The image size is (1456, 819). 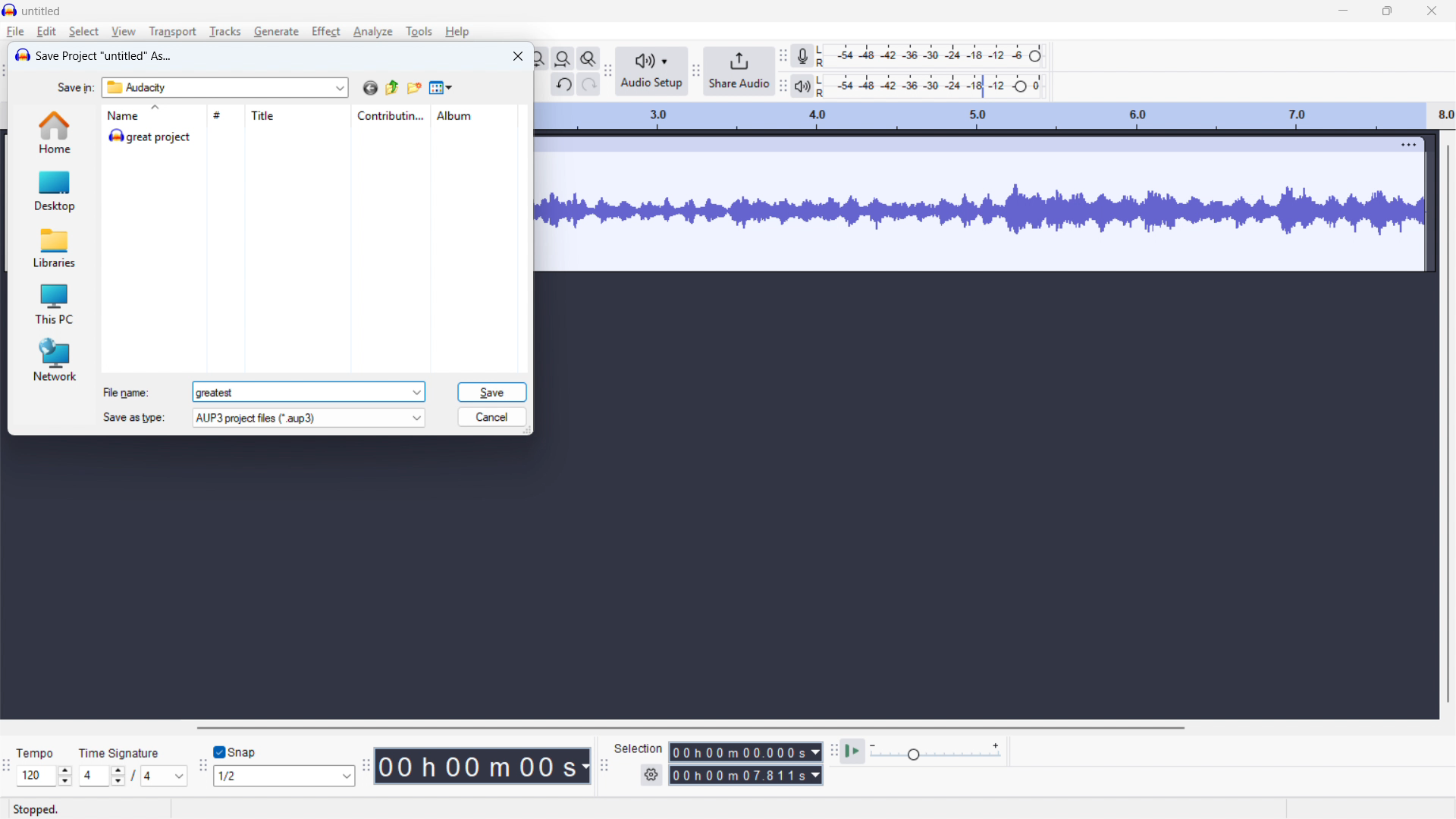 I want to click on snapping toolbar, so click(x=202, y=767).